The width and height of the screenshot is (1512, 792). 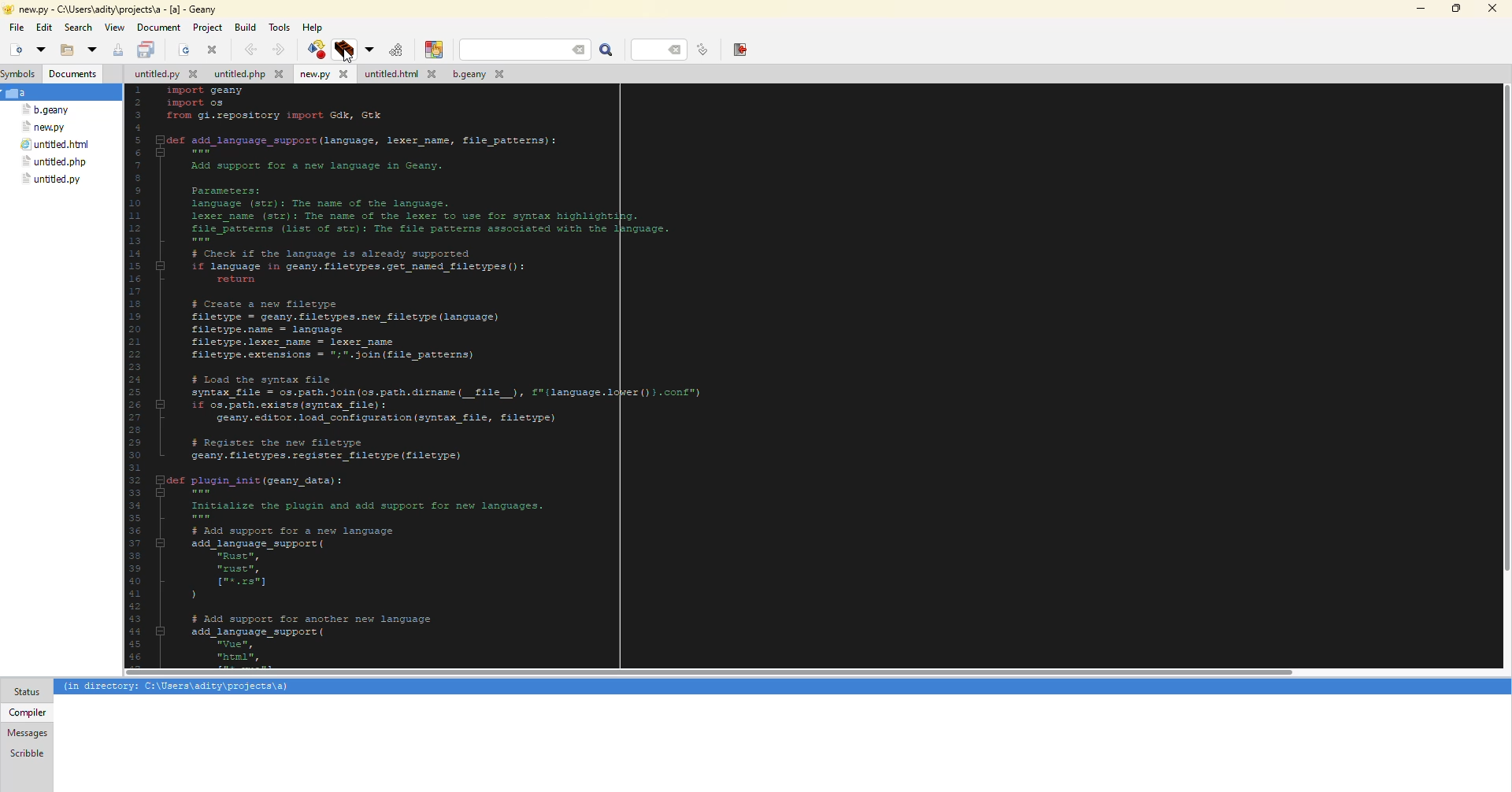 I want to click on view, so click(x=115, y=28).